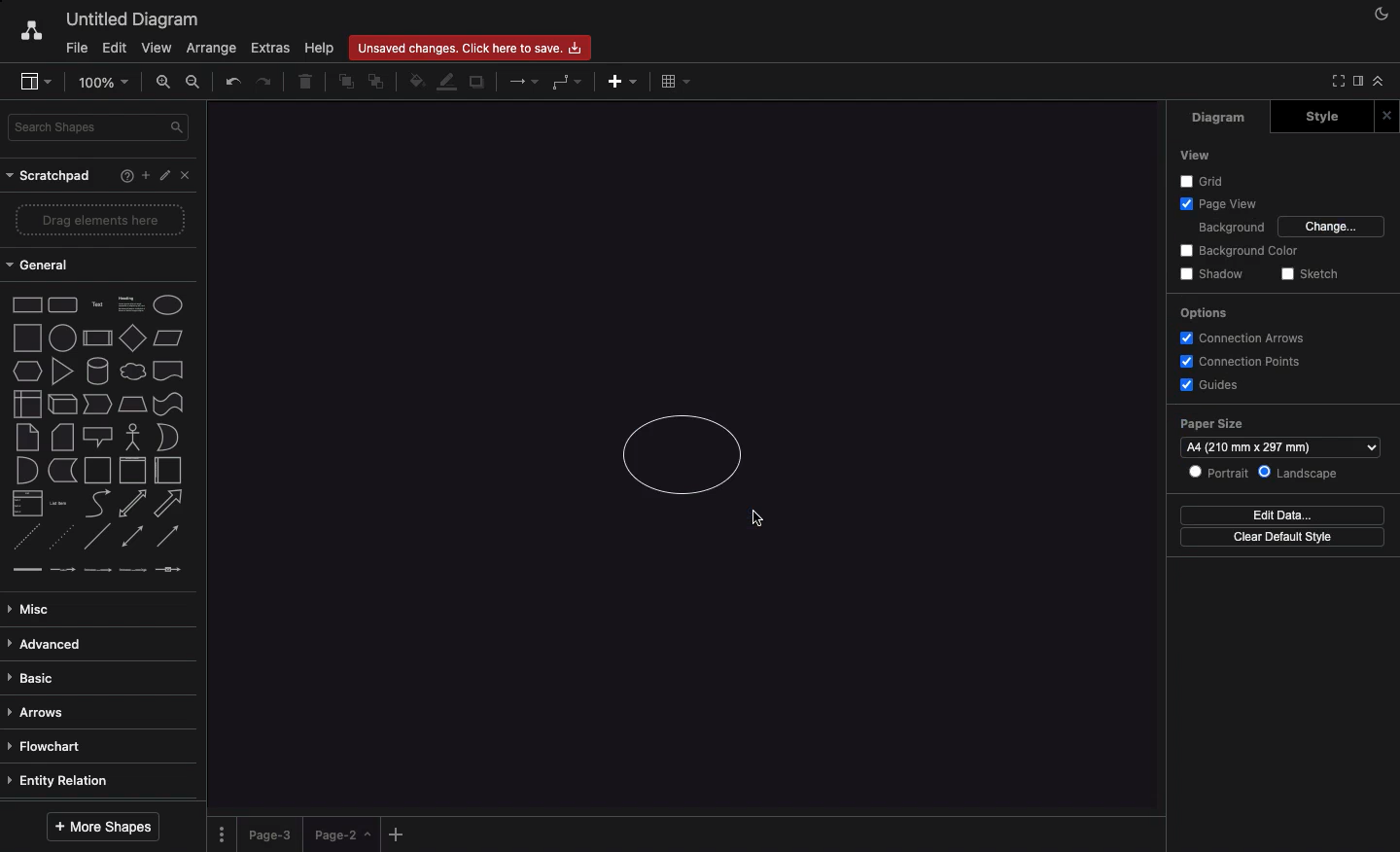 This screenshot has width=1400, height=852. Describe the element at coordinates (1232, 227) in the screenshot. I see `Background` at that location.